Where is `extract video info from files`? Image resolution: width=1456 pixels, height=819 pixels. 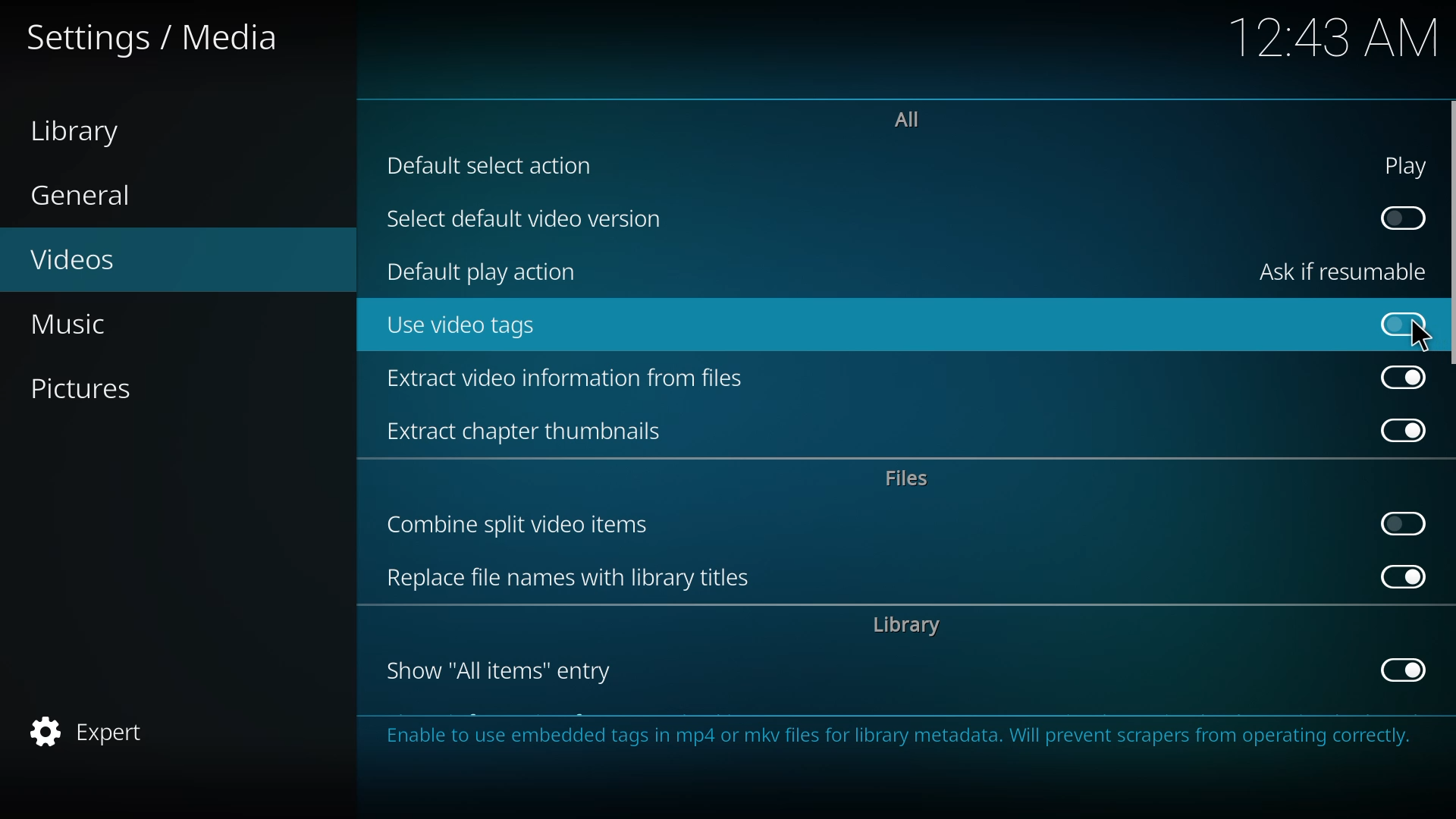 extract video info from files is located at coordinates (570, 382).